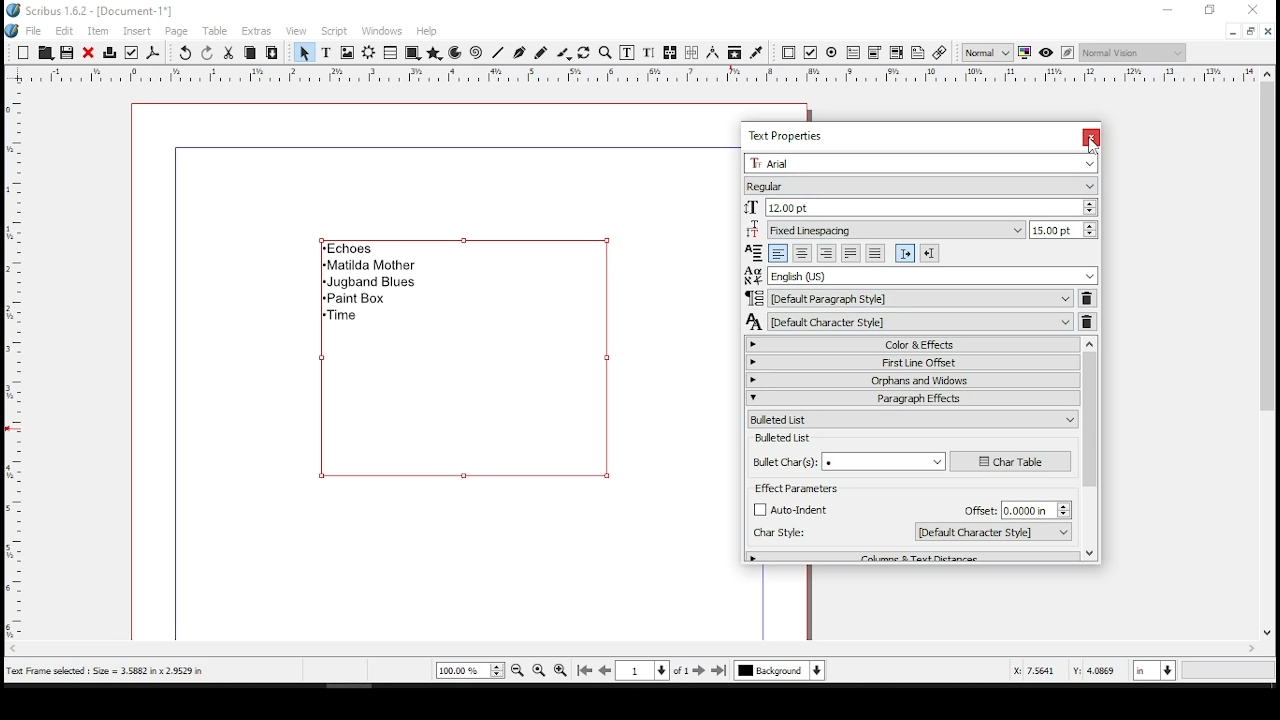 Image resolution: width=1280 pixels, height=720 pixels. What do you see at coordinates (652, 670) in the screenshot?
I see `go to page` at bounding box center [652, 670].